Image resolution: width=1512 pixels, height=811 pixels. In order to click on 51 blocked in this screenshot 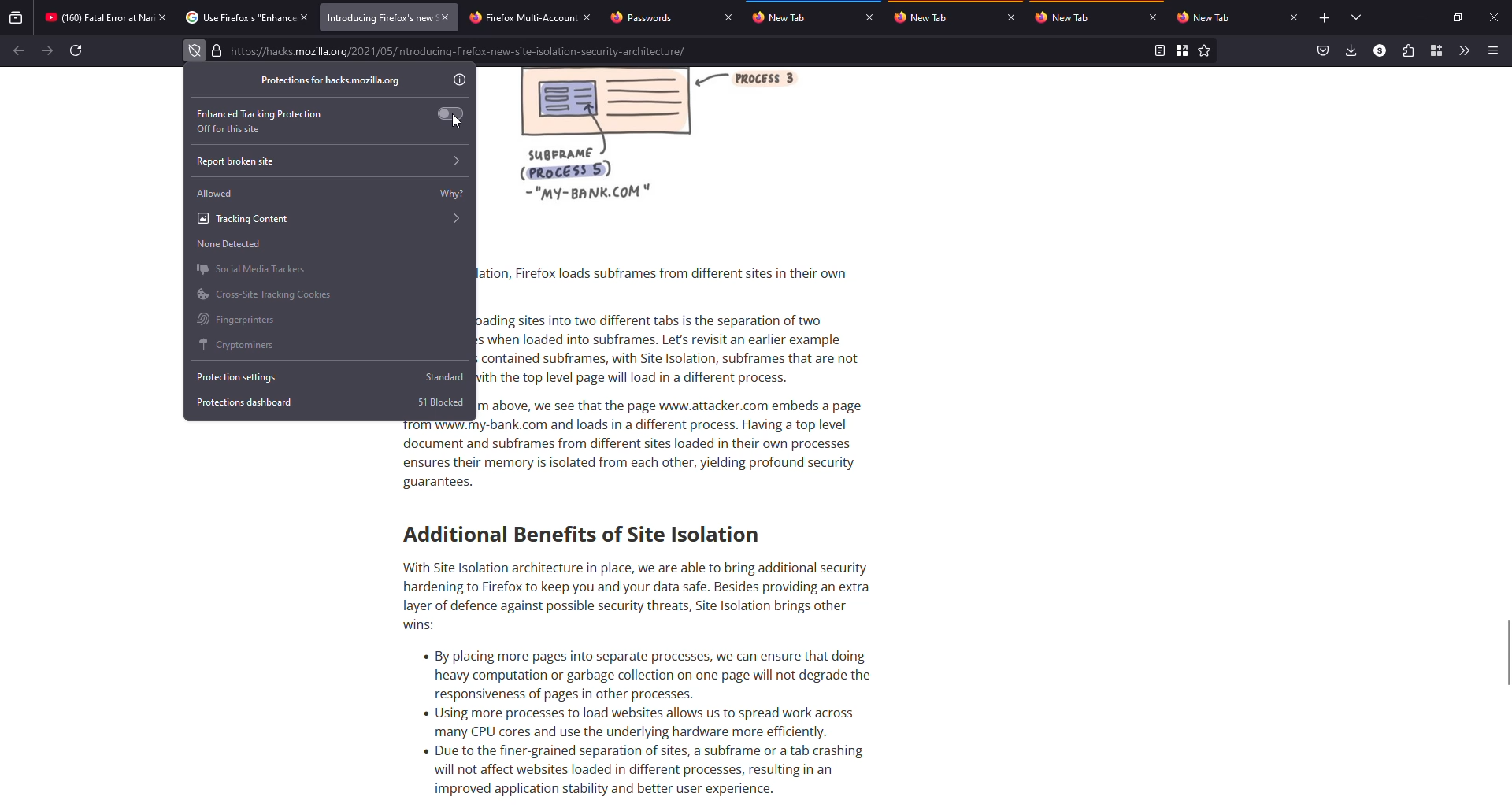, I will do `click(443, 402)`.